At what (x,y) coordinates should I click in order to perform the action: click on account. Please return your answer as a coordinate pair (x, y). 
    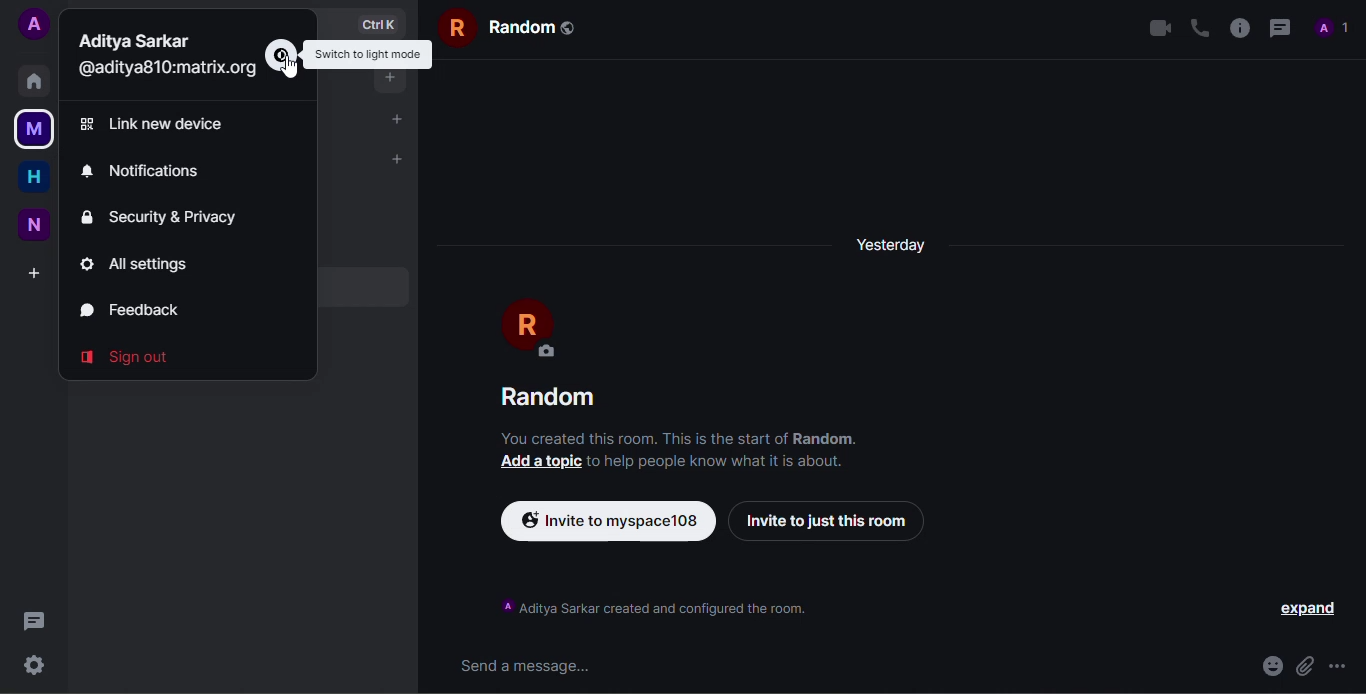
    Looking at the image, I should click on (34, 25).